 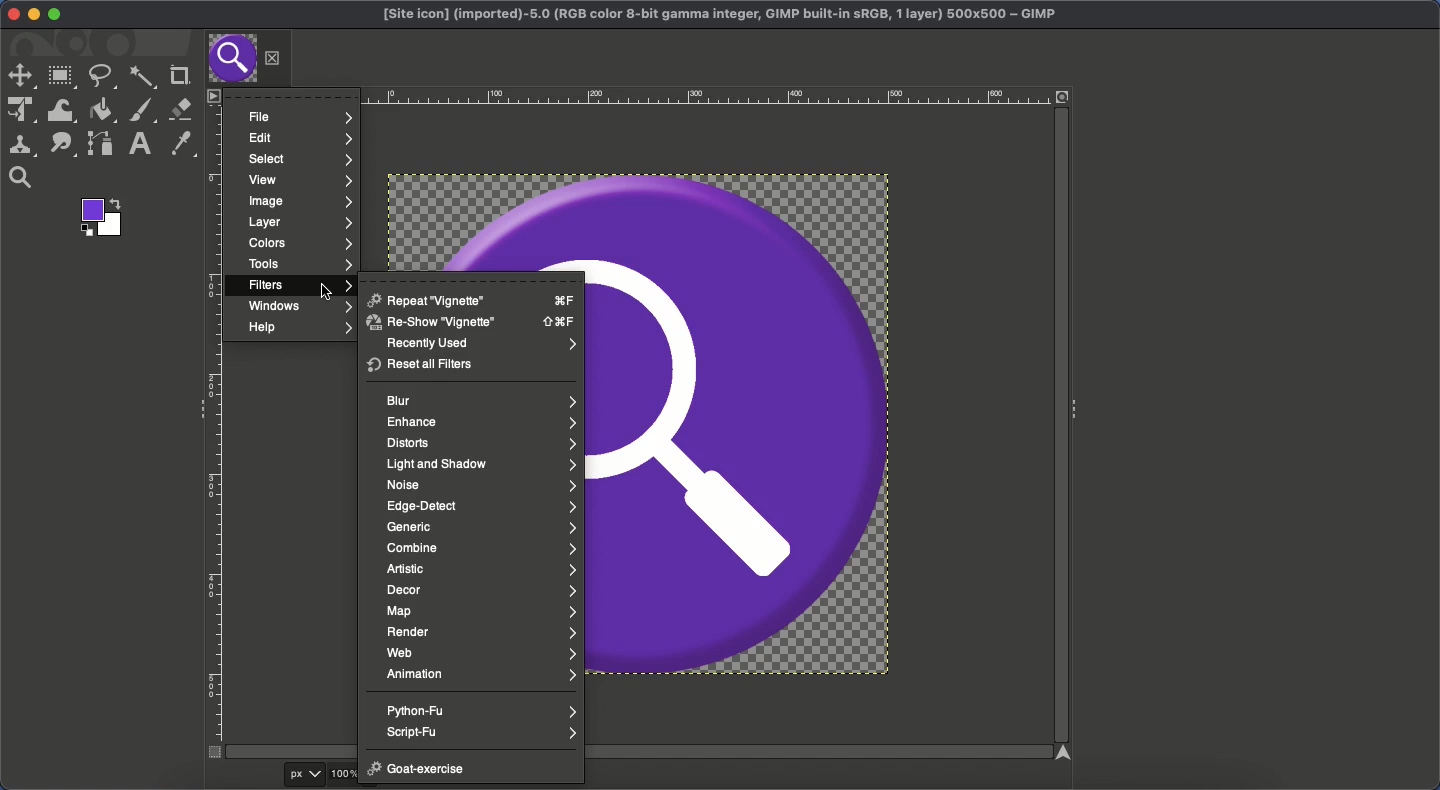 What do you see at coordinates (63, 145) in the screenshot?
I see `Smudge` at bounding box center [63, 145].